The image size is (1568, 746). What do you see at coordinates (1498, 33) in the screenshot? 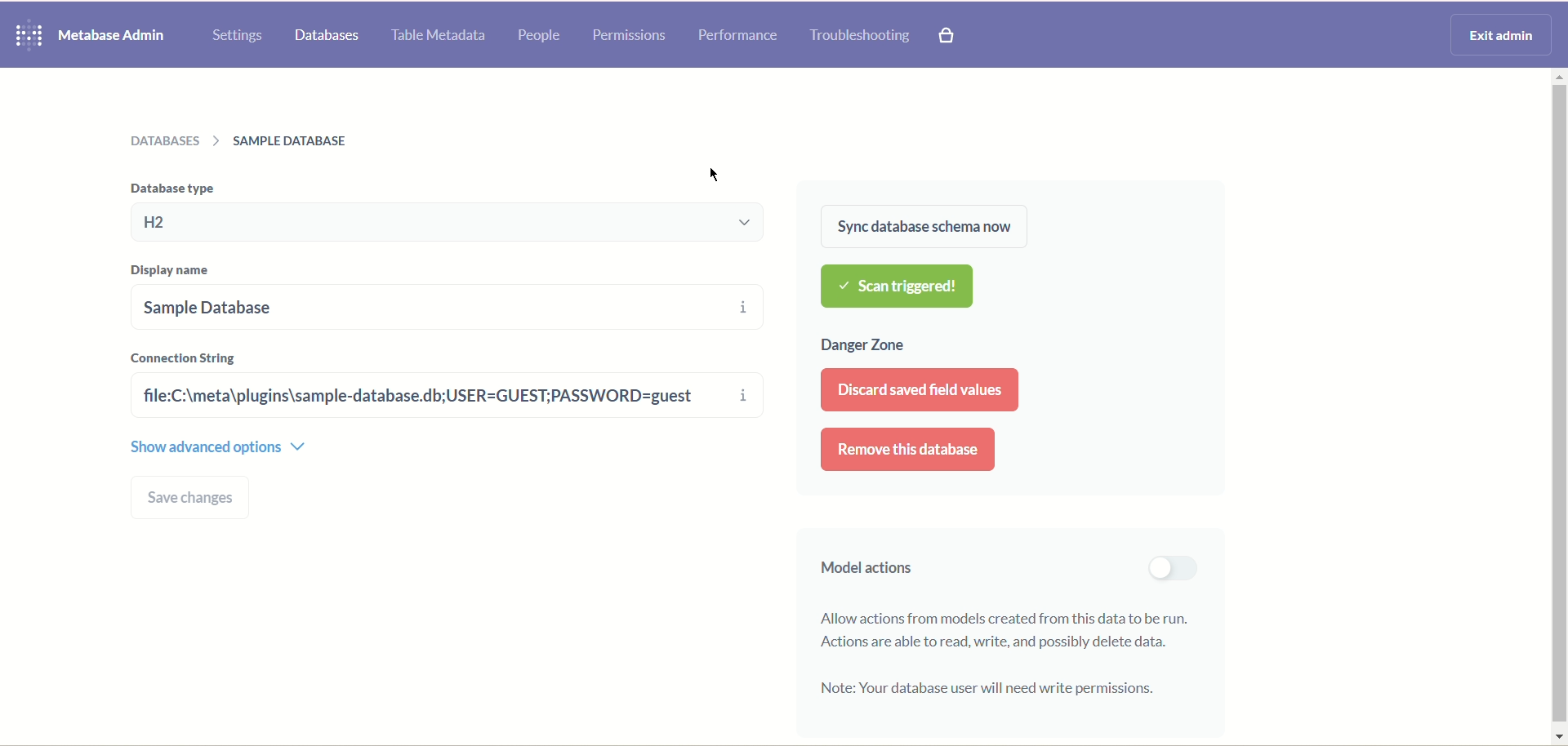
I see `exit admin` at bounding box center [1498, 33].